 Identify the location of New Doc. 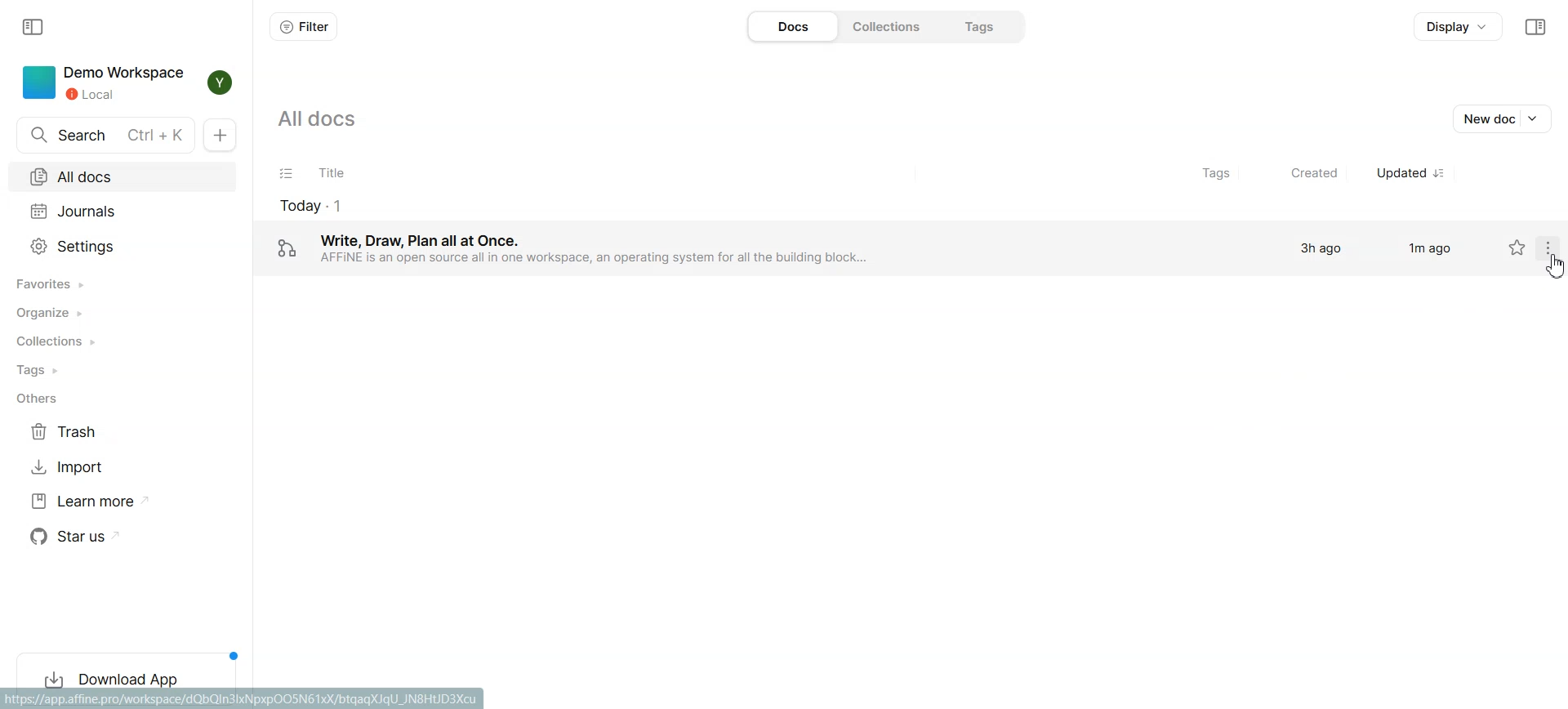
(219, 136).